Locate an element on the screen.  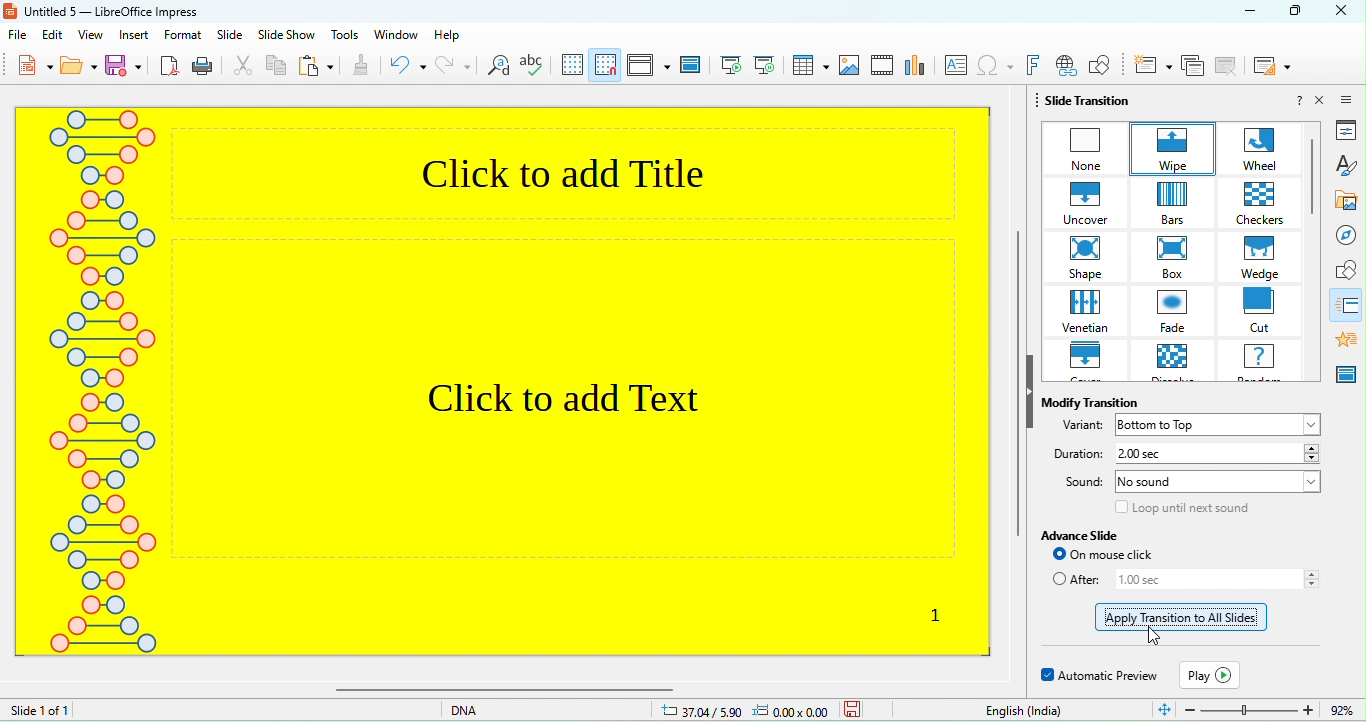
slide is located at coordinates (228, 35).